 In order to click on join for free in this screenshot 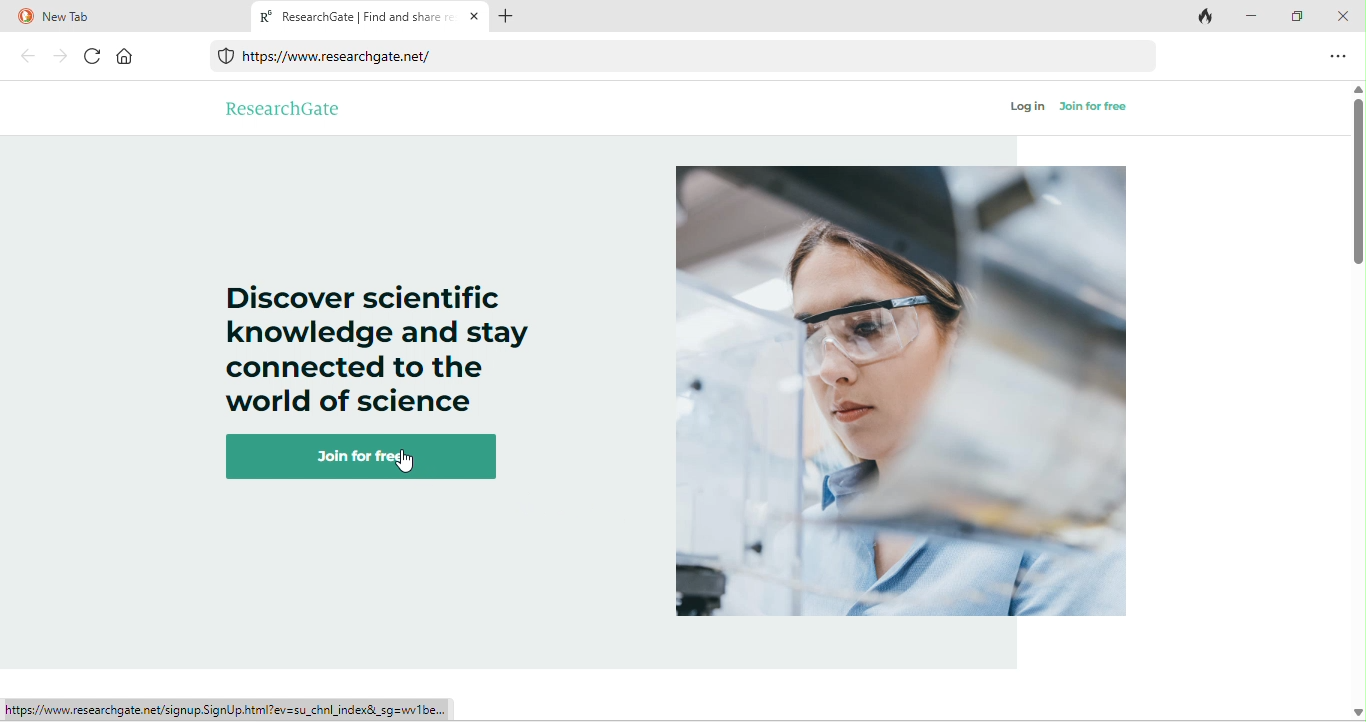, I will do `click(369, 457)`.